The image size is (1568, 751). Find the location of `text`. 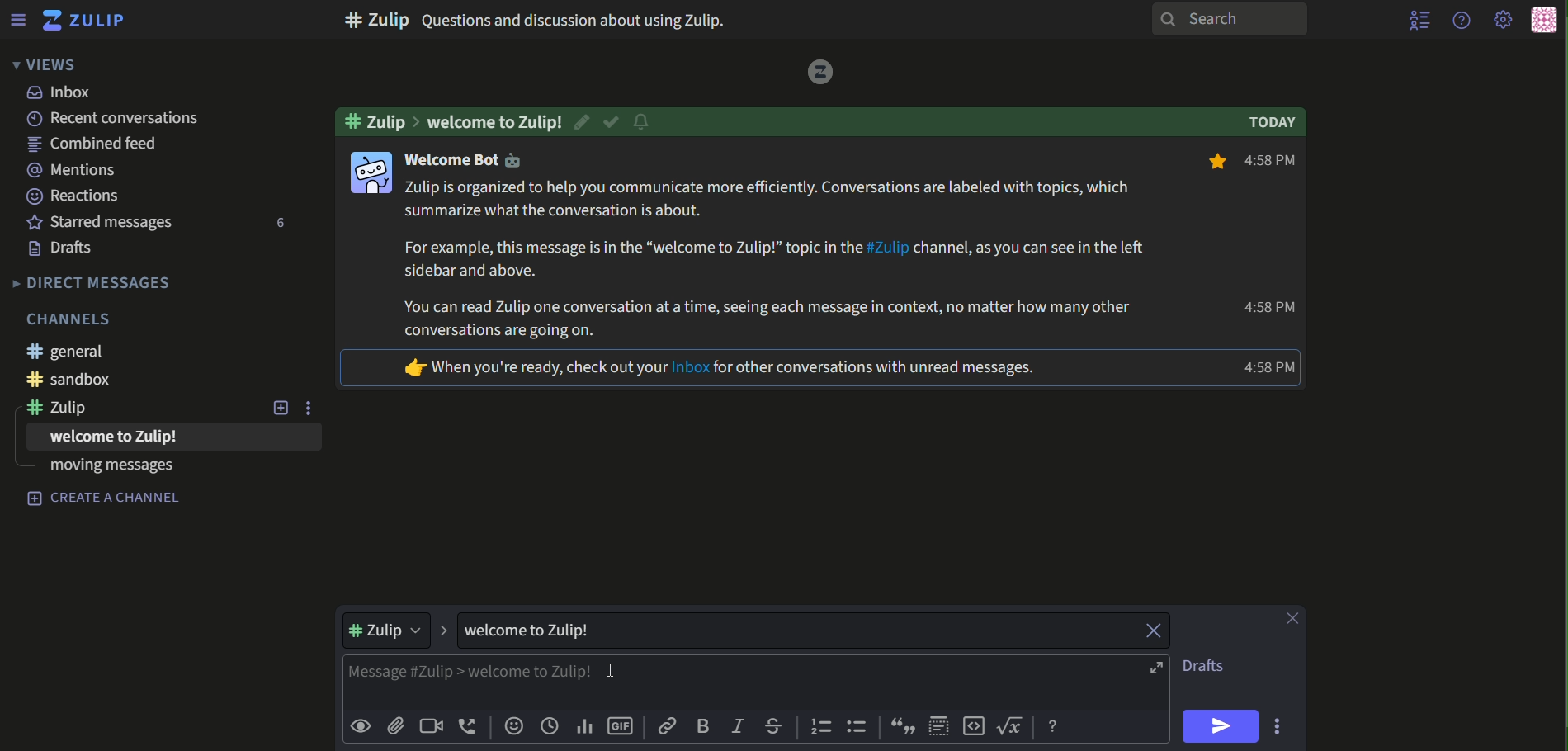

text is located at coordinates (497, 120).